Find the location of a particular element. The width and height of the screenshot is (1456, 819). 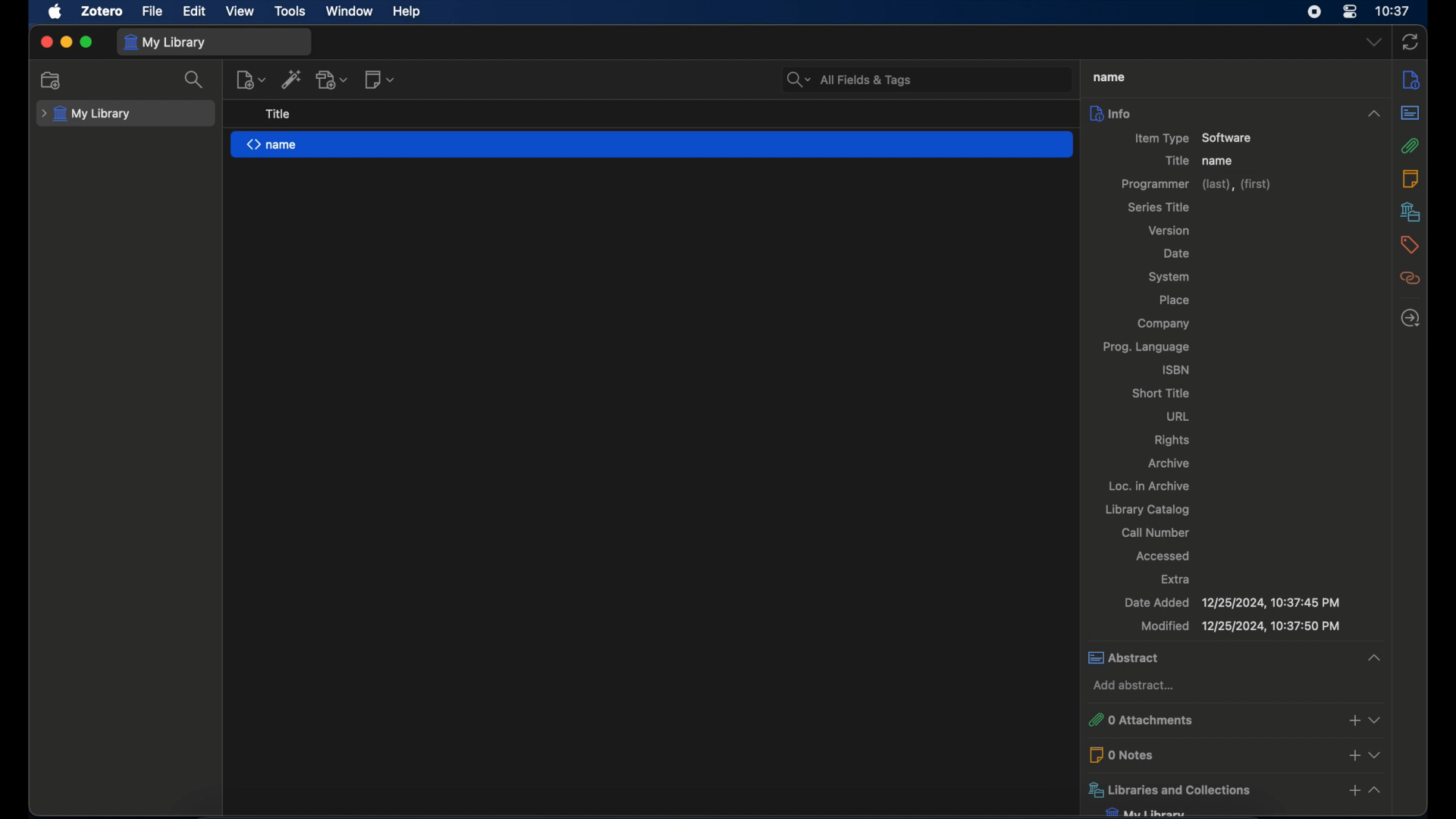

system is located at coordinates (1171, 276).